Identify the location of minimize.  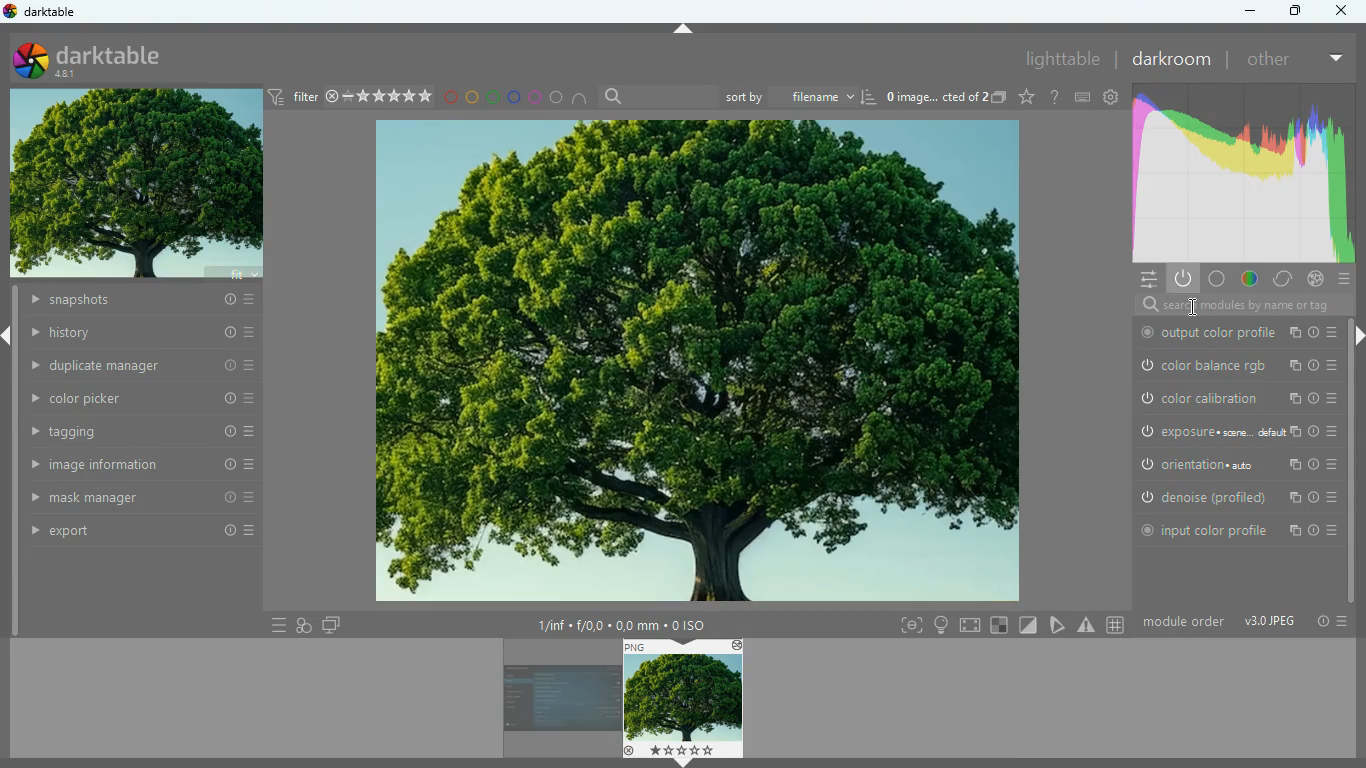
(1247, 10).